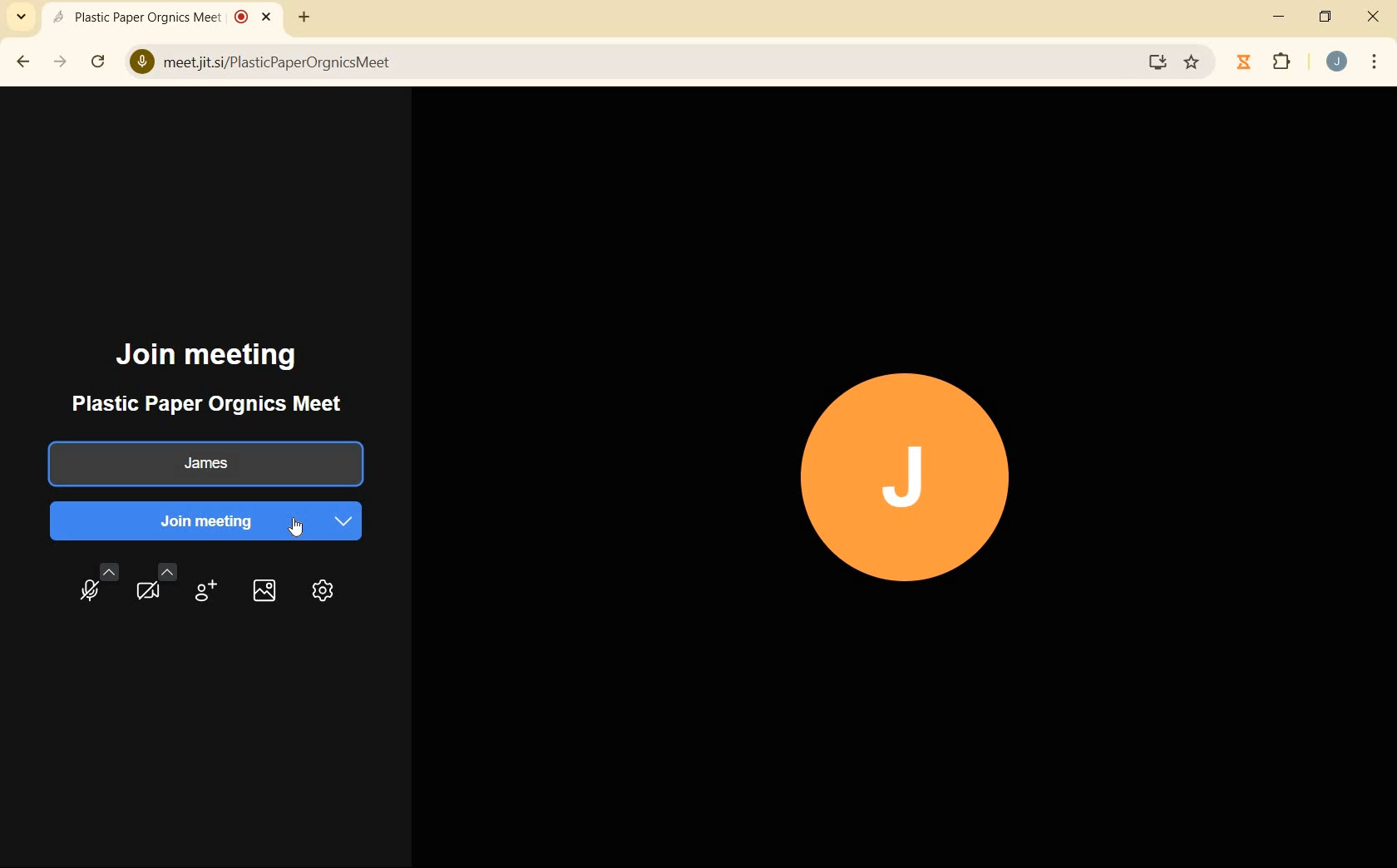 This screenshot has height=868, width=1397. I want to click on bookmark, so click(1193, 62).